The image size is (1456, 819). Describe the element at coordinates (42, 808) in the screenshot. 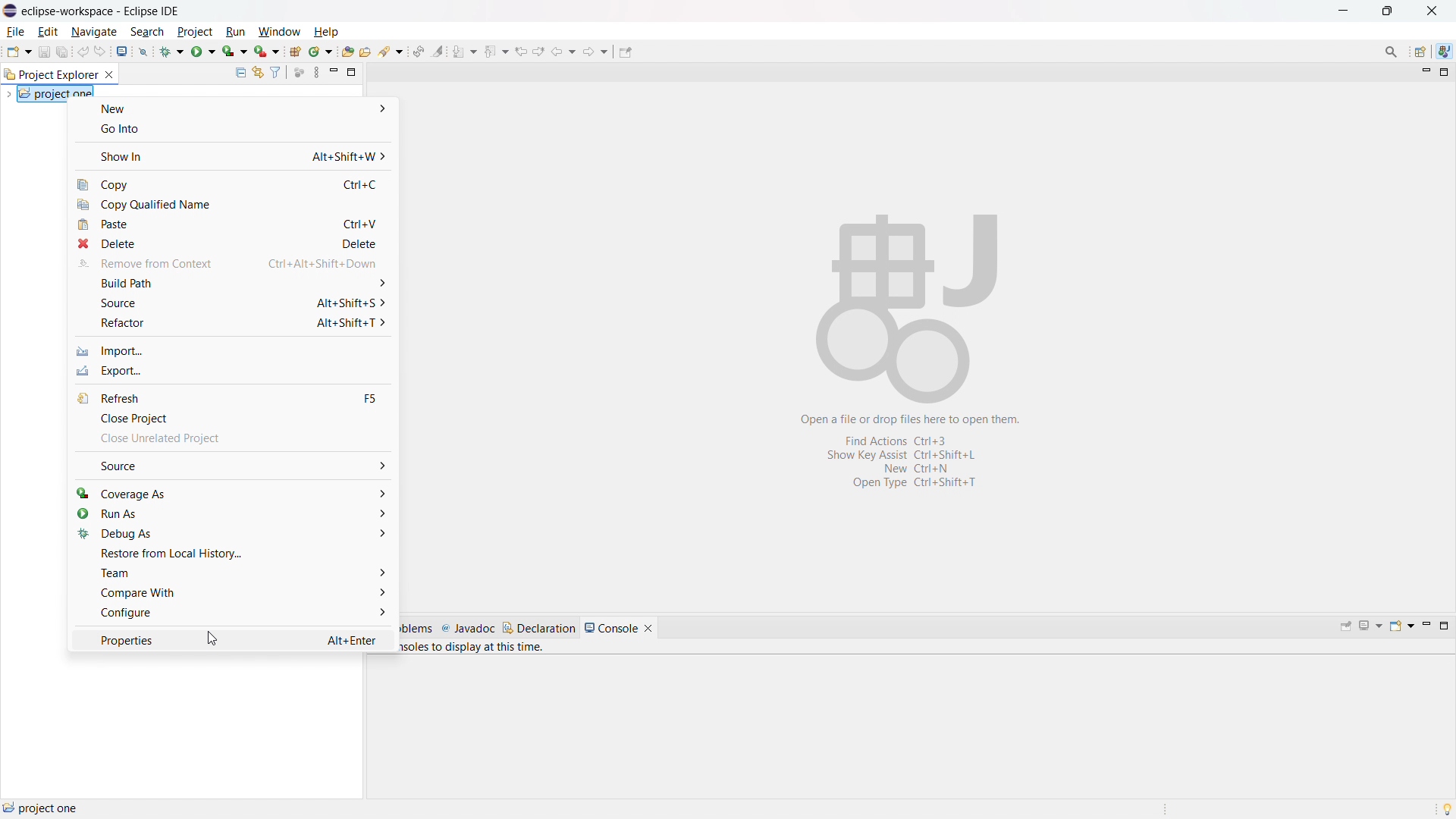

I see `project one` at that location.